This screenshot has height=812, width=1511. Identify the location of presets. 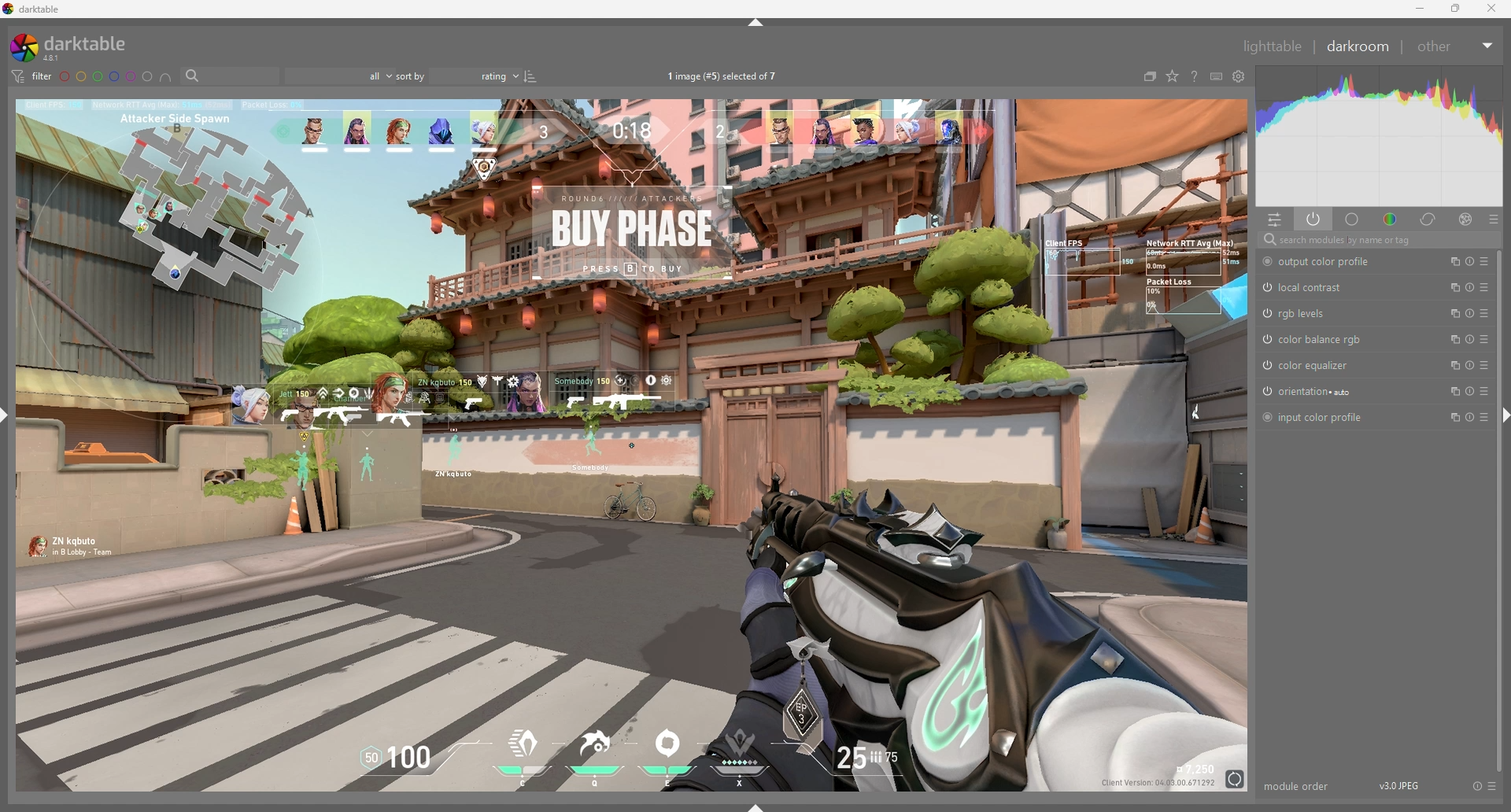
(1485, 286).